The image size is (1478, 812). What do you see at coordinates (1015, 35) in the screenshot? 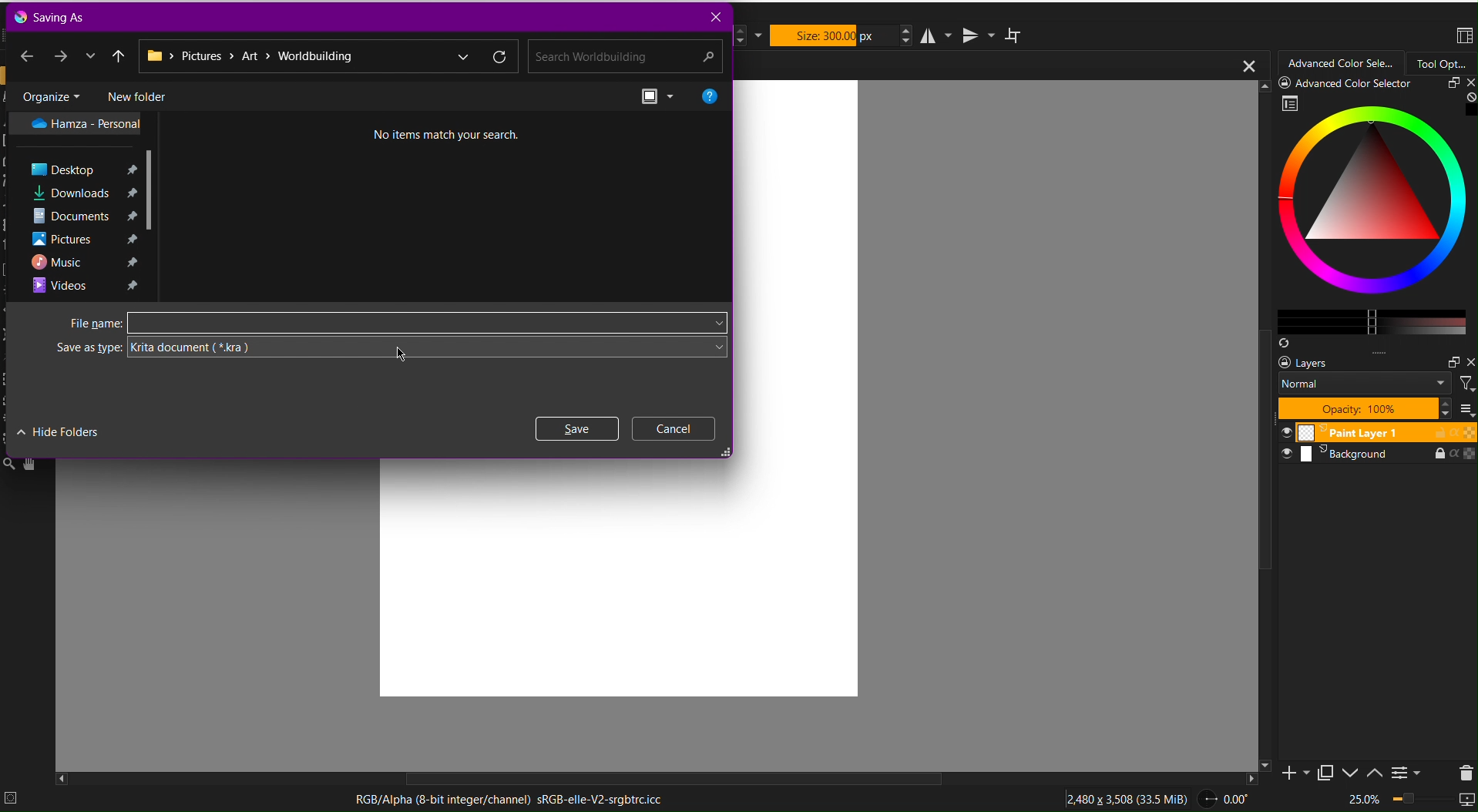
I see `Wraparound` at bounding box center [1015, 35].